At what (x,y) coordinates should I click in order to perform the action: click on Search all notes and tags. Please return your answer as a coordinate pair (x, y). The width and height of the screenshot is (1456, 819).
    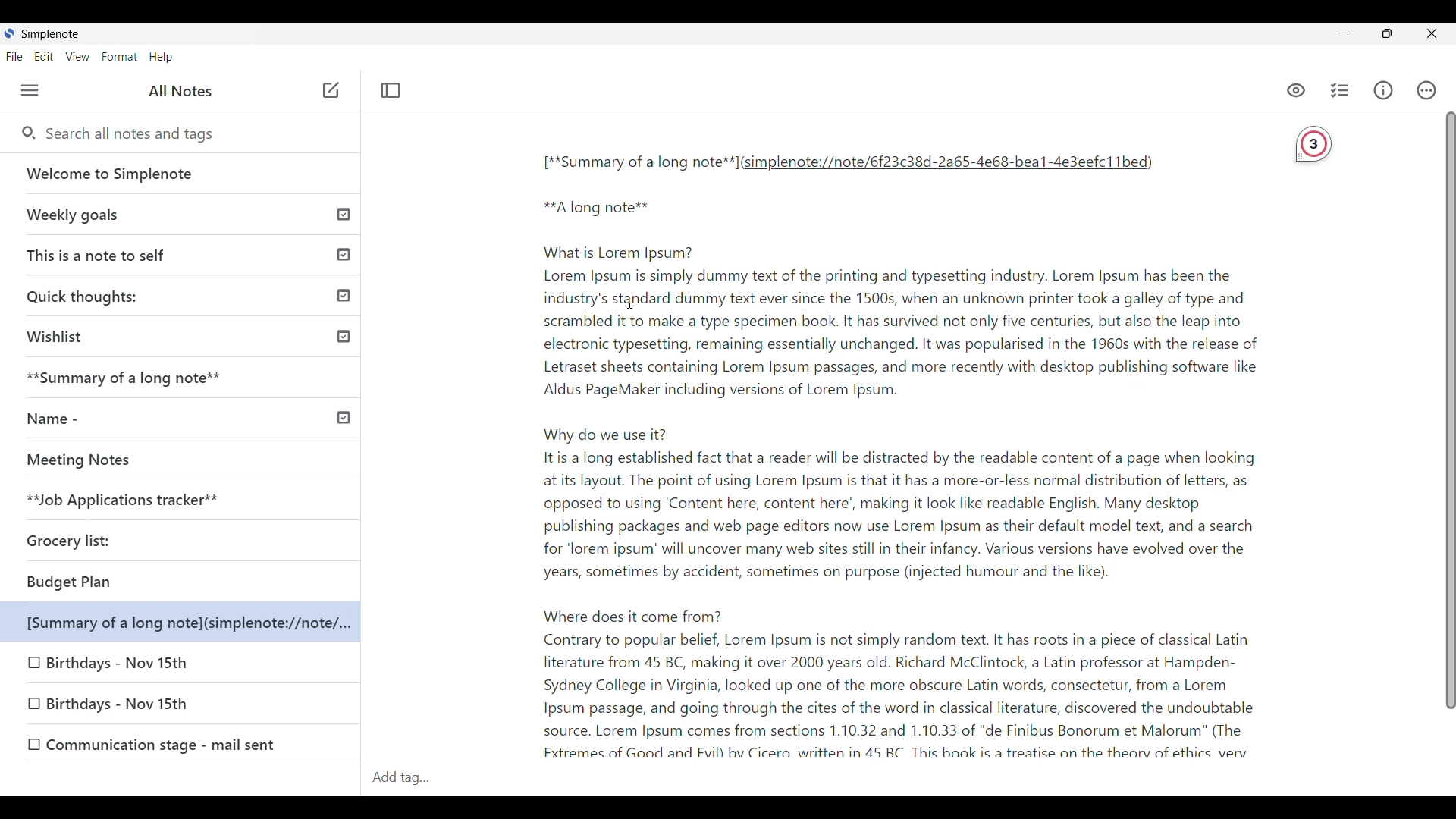
    Looking at the image, I should click on (136, 134).